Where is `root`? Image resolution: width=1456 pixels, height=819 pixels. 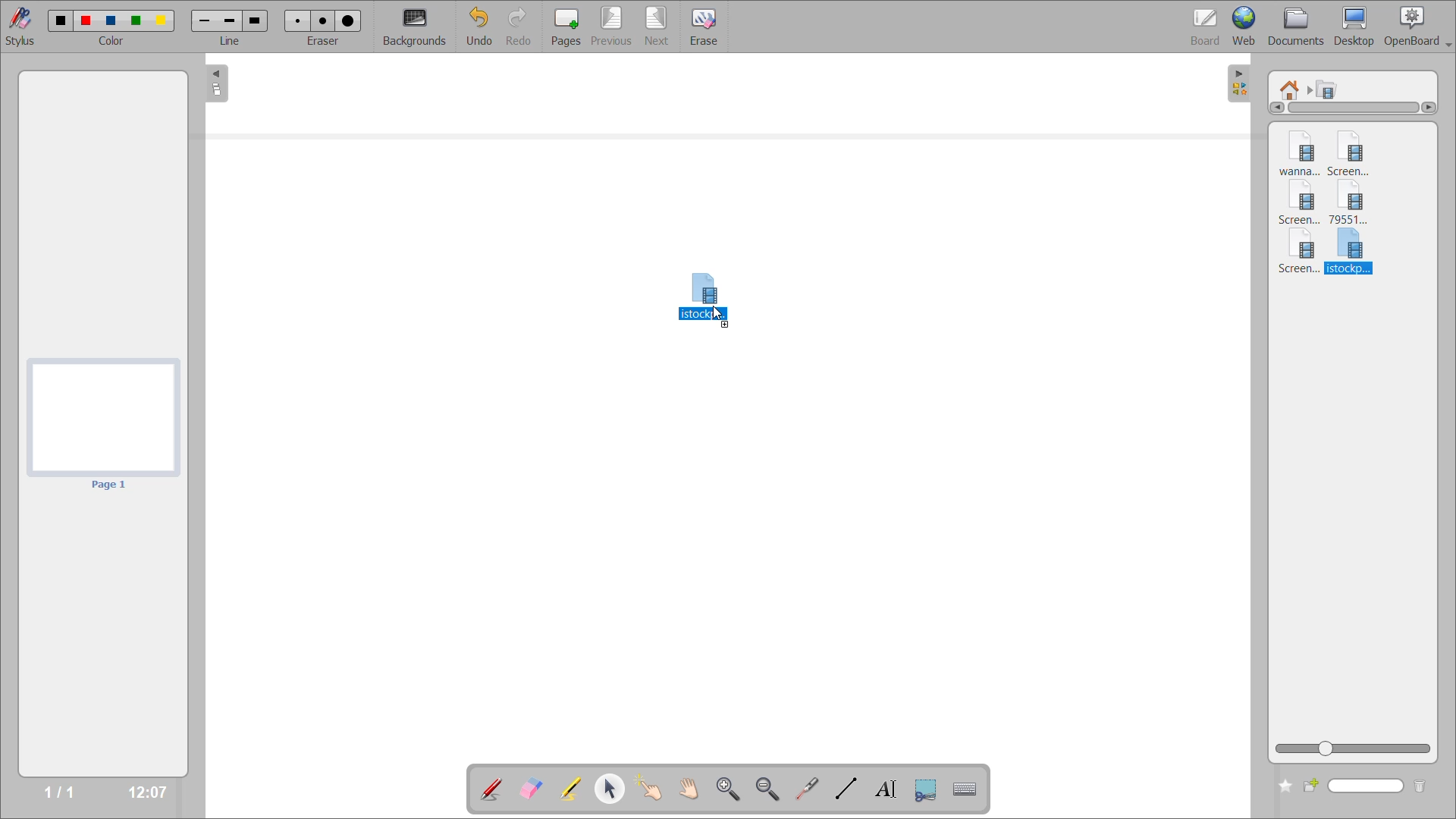 root is located at coordinates (1293, 86).